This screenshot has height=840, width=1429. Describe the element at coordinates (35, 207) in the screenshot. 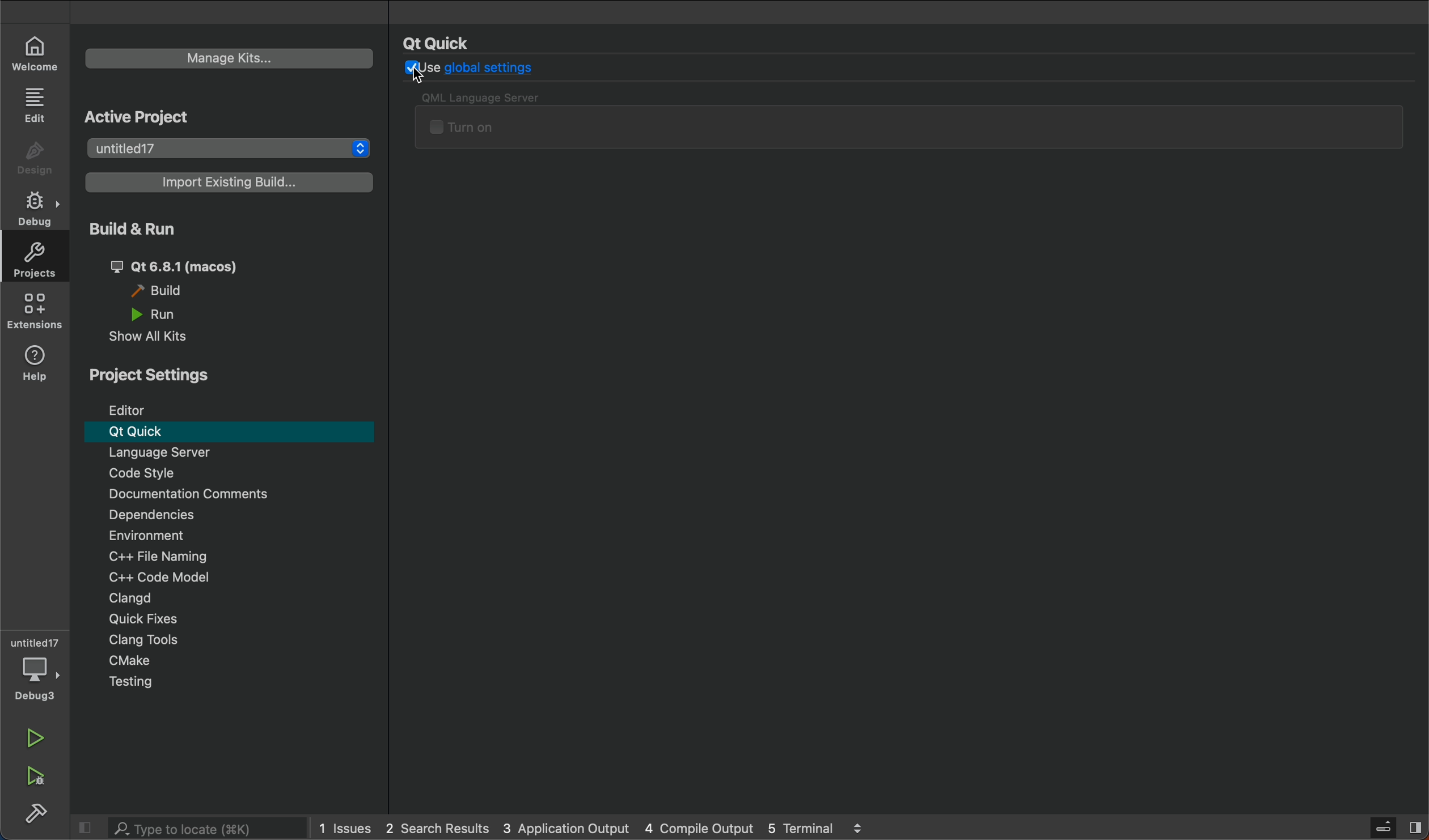

I see `debug` at that location.